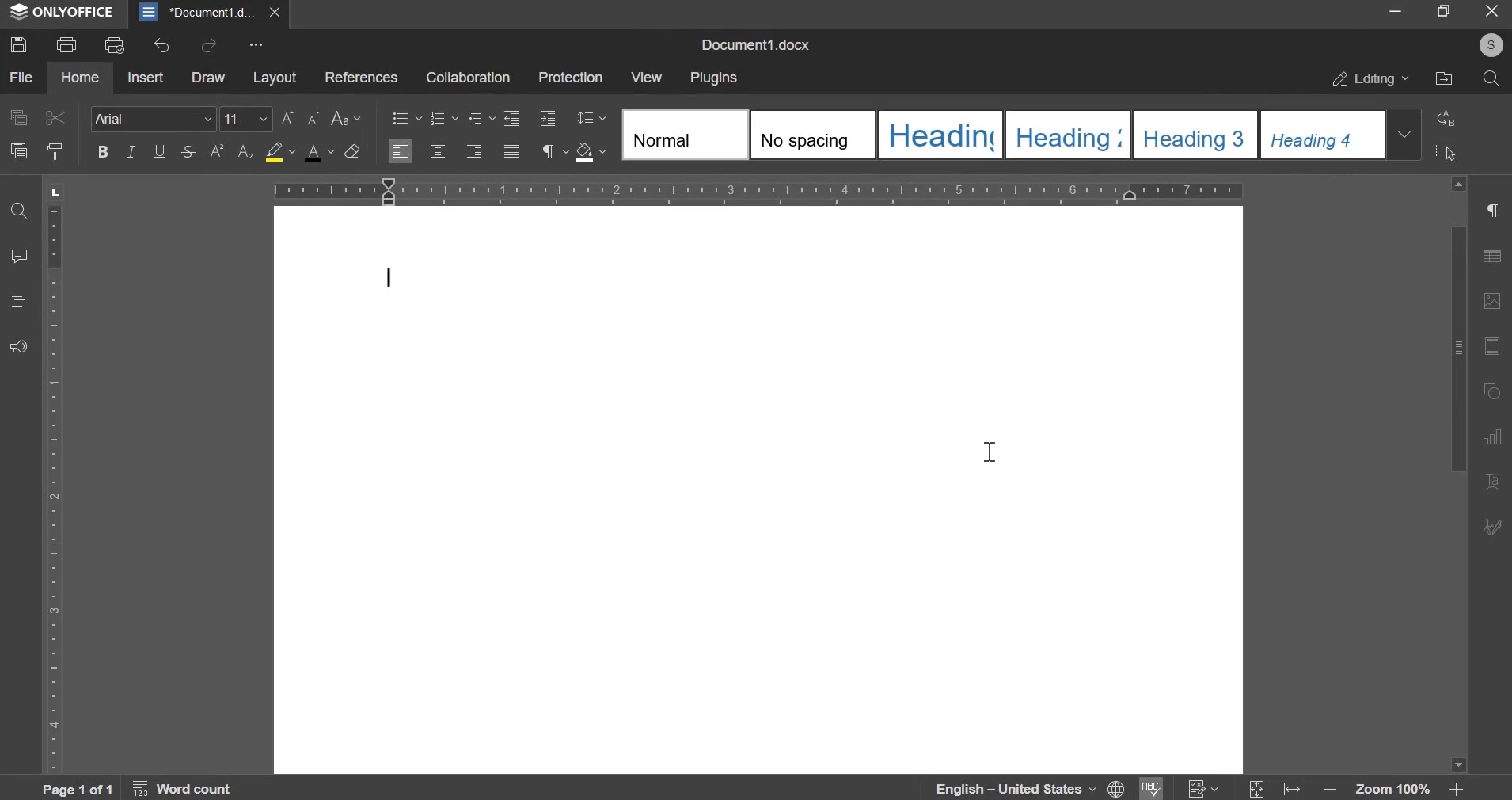  What do you see at coordinates (1449, 120) in the screenshot?
I see `Replace ` at bounding box center [1449, 120].